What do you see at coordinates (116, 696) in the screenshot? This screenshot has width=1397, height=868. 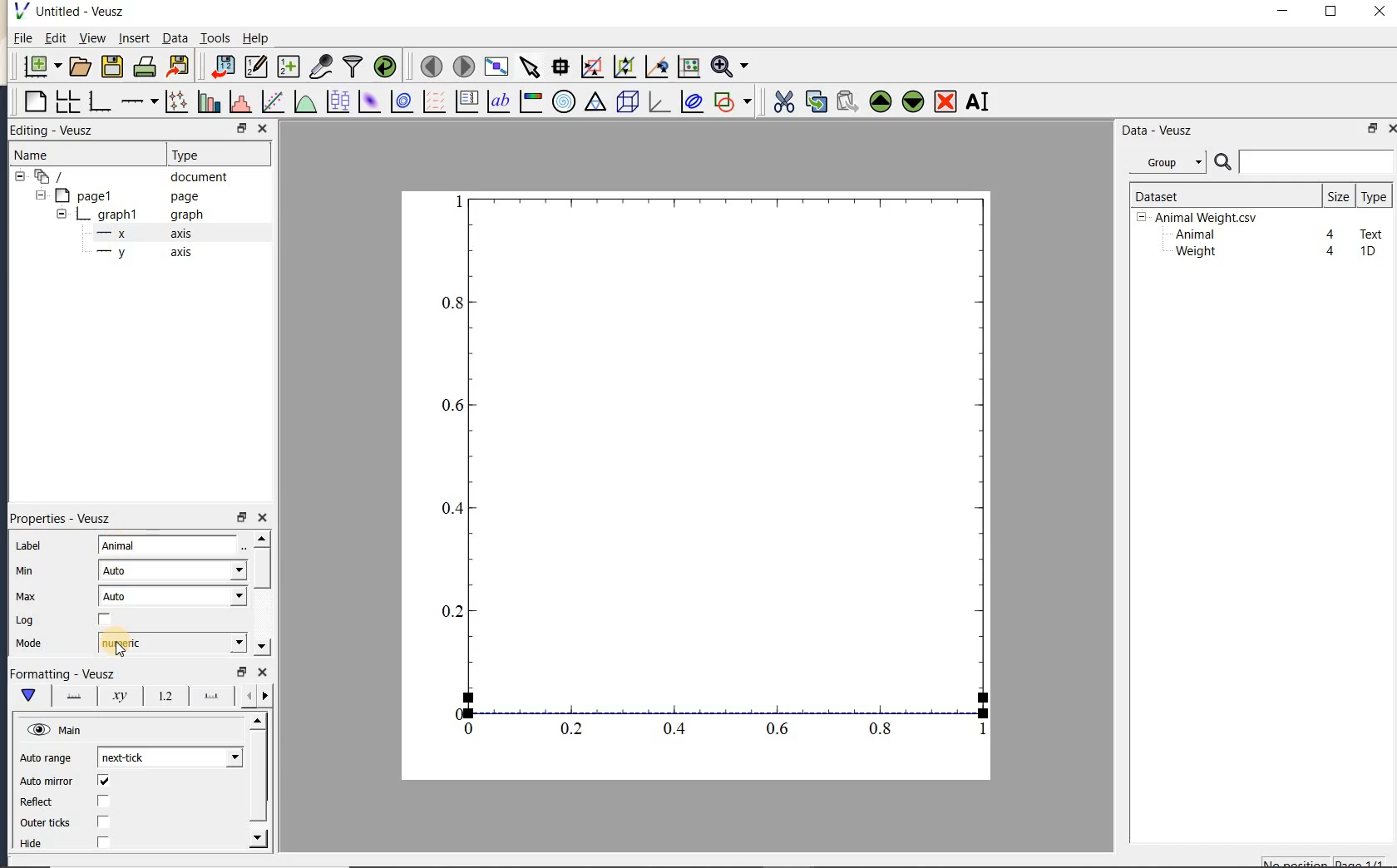 I see `axis label` at bounding box center [116, 696].